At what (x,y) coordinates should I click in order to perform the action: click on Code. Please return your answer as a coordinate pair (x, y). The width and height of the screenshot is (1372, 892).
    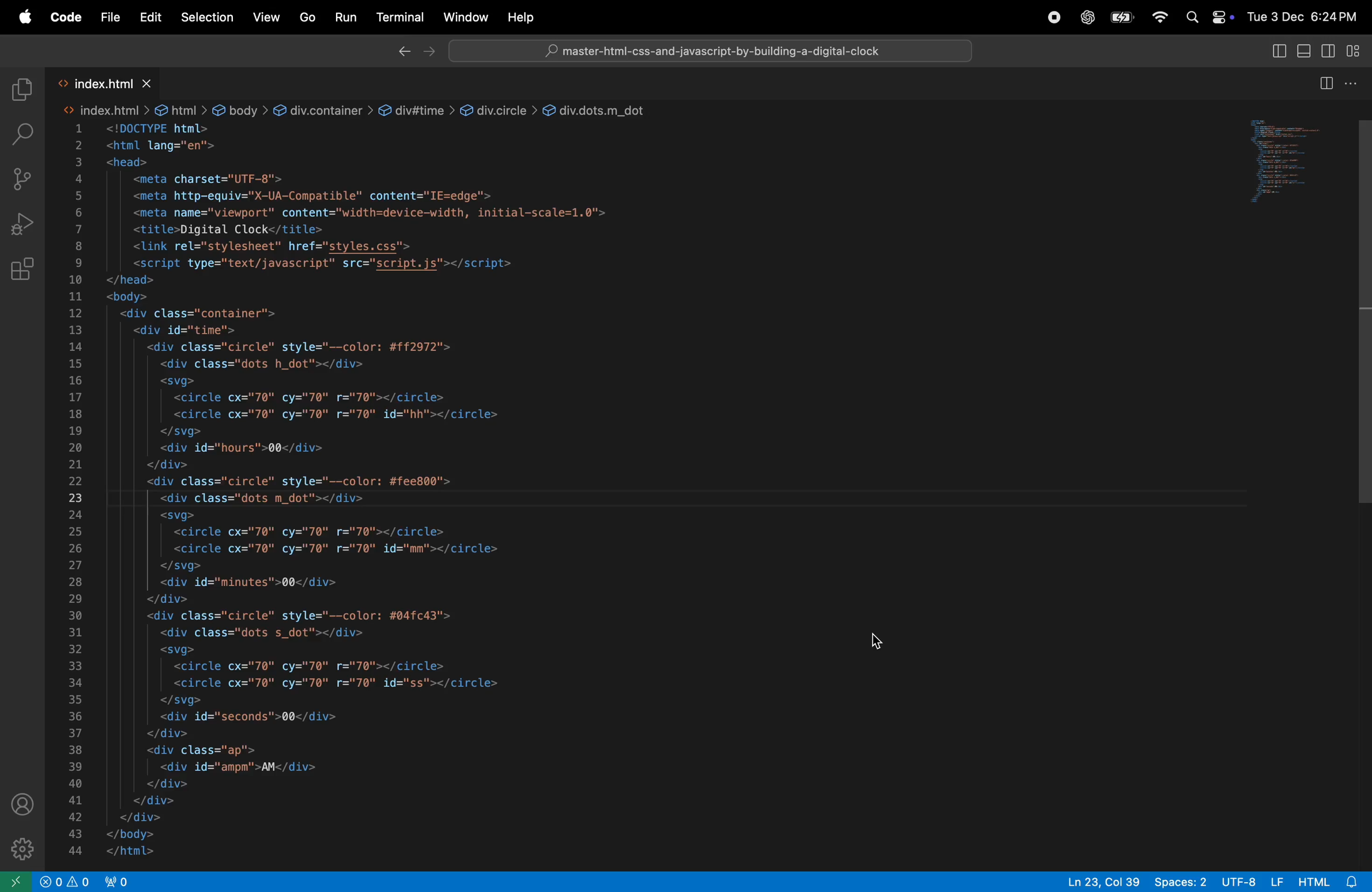
    Looking at the image, I should click on (65, 16).